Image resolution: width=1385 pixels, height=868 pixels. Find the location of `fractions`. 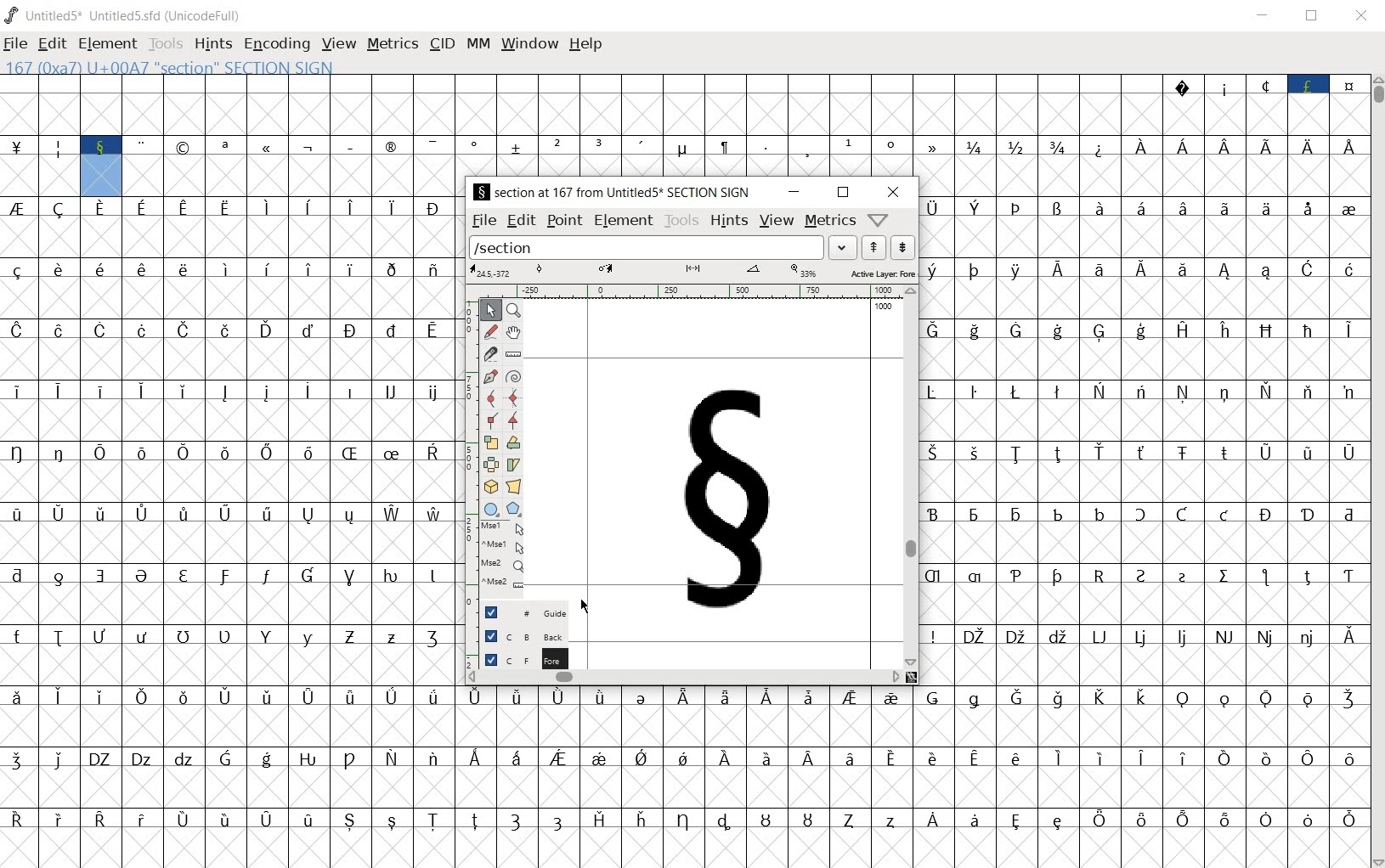

fractions is located at coordinates (1019, 146).